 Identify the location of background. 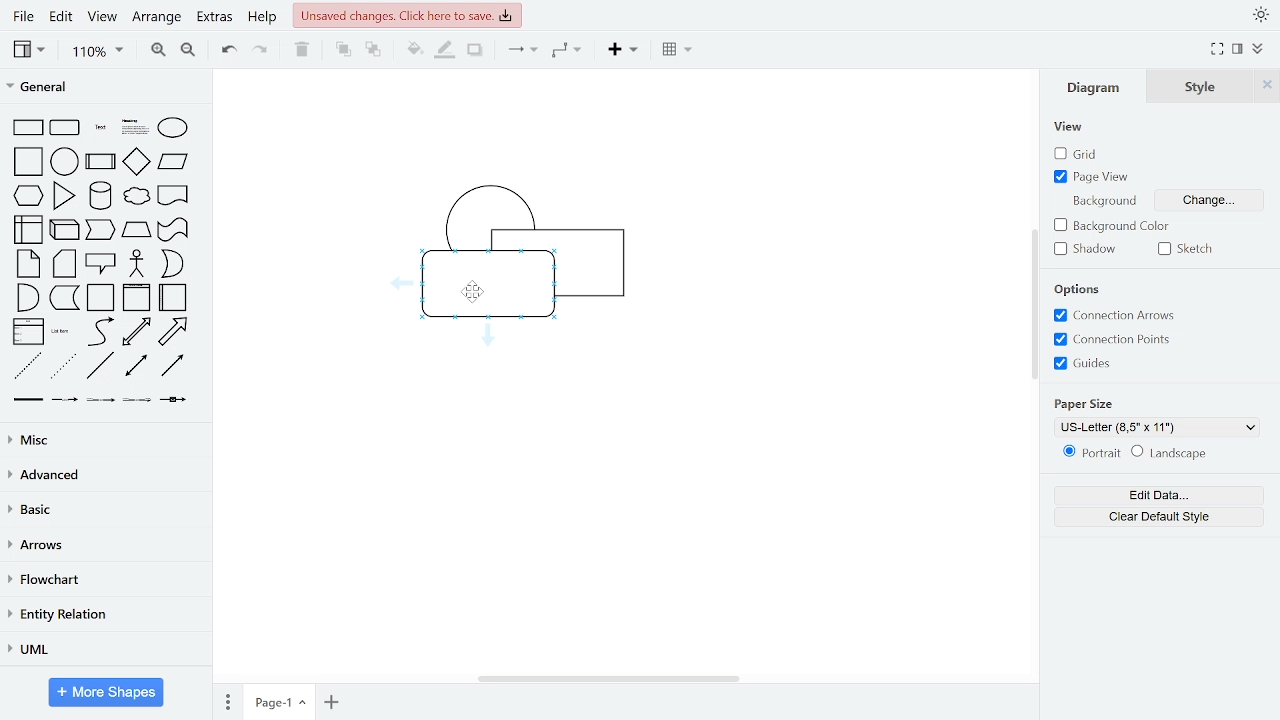
(1102, 202).